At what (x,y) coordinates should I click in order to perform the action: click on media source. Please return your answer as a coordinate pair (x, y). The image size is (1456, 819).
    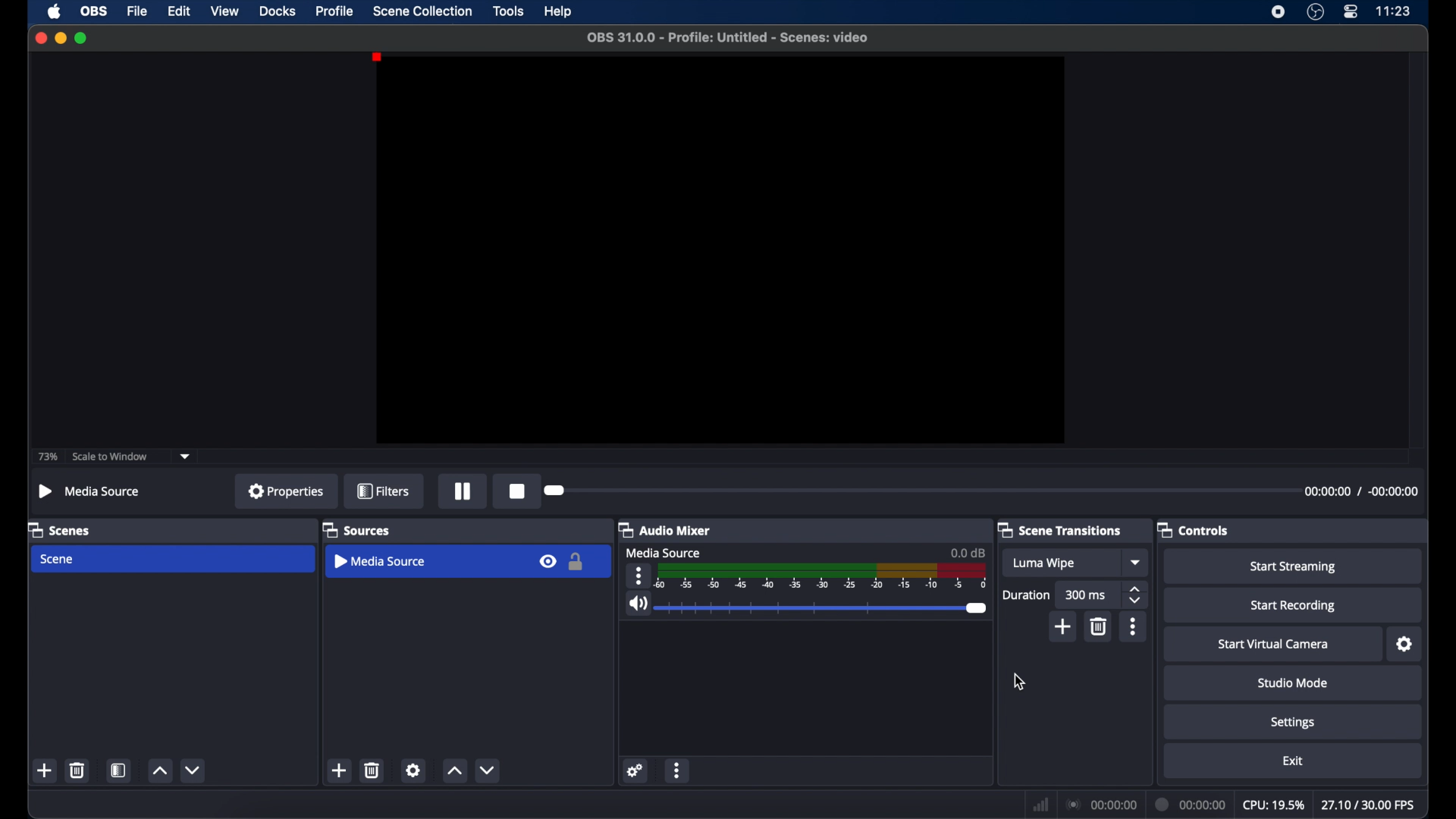
    Looking at the image, I should click on (663, 552).